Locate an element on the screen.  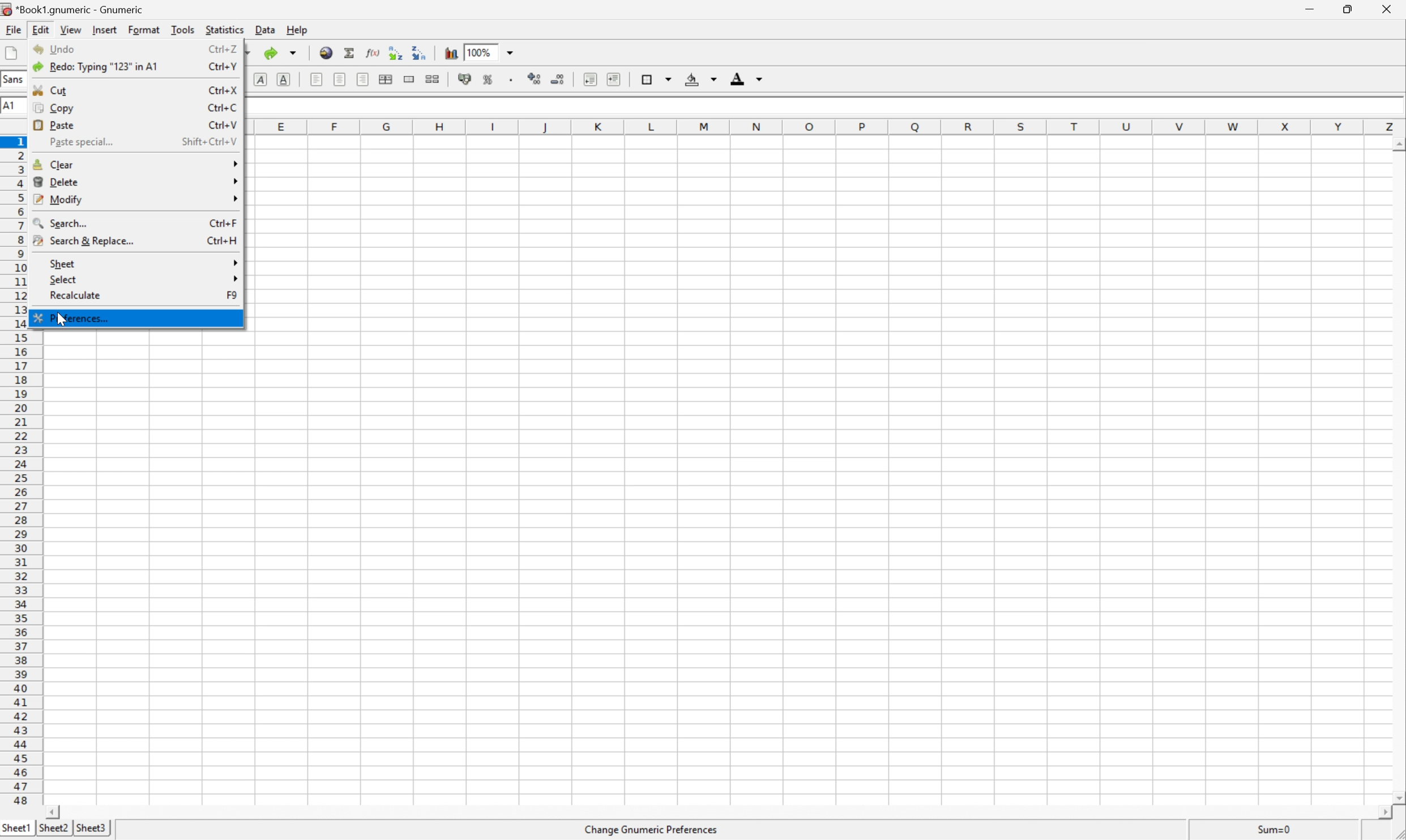
Align right is located at coordinates (363, 79).